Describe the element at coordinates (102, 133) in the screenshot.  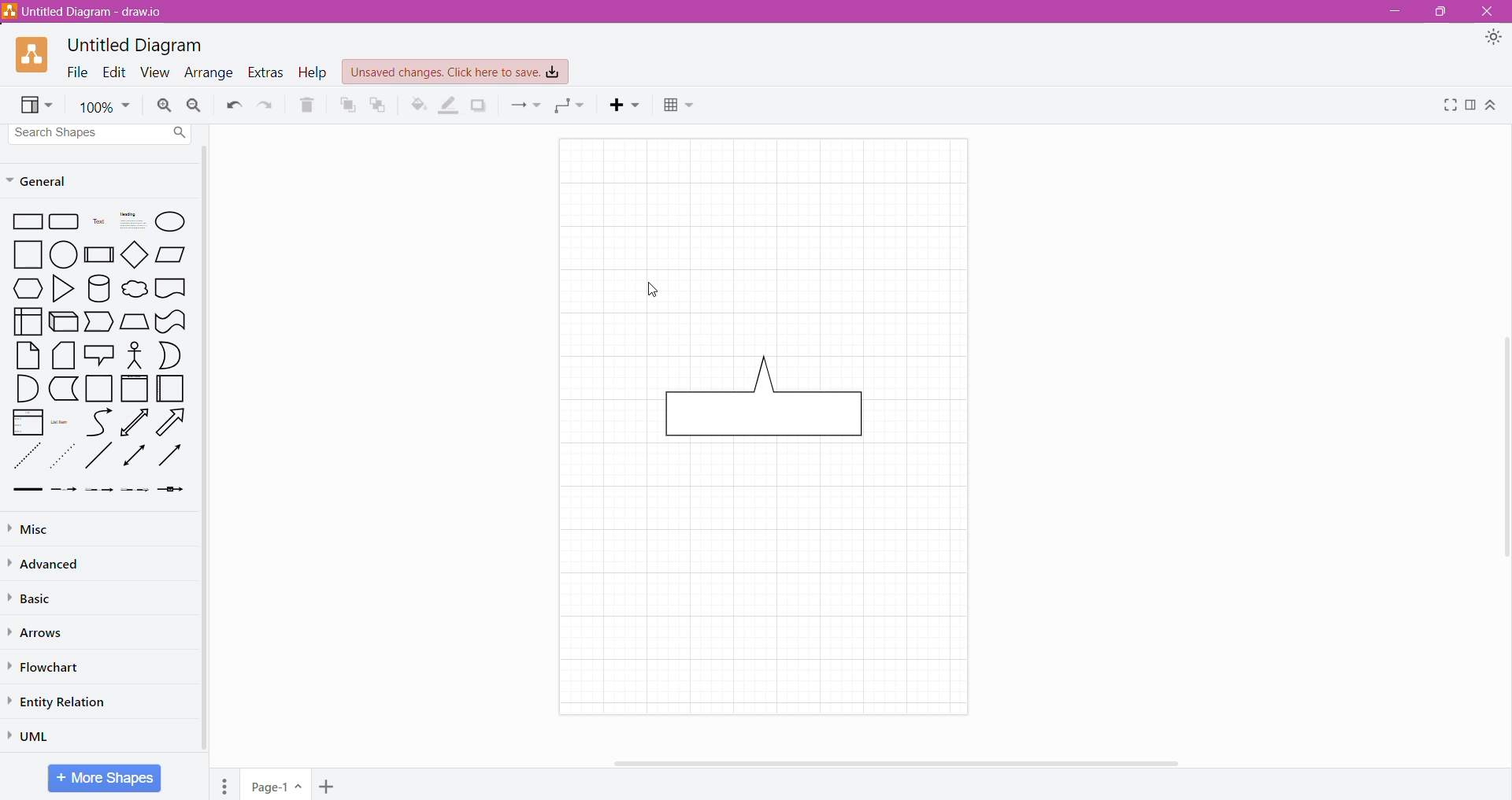
I see `Search Shapes` at that location.